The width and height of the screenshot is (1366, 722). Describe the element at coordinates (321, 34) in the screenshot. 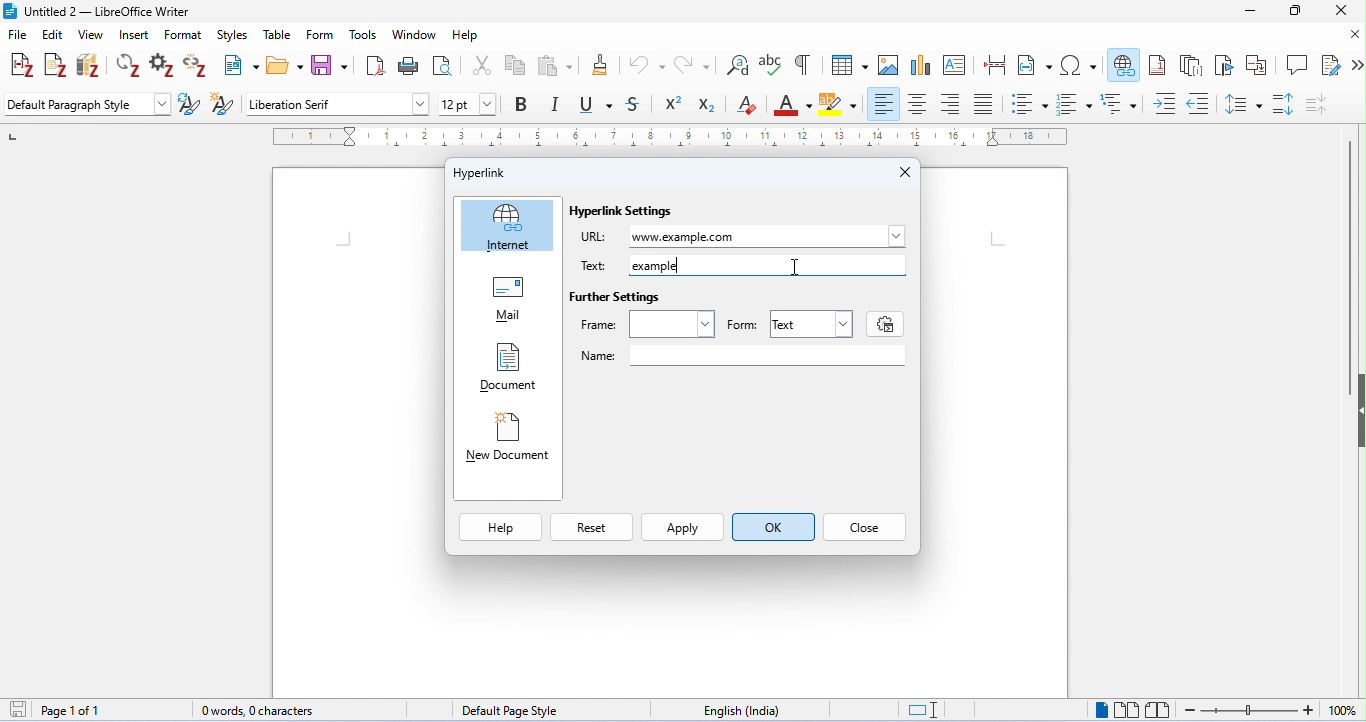

I see `form` at that location.